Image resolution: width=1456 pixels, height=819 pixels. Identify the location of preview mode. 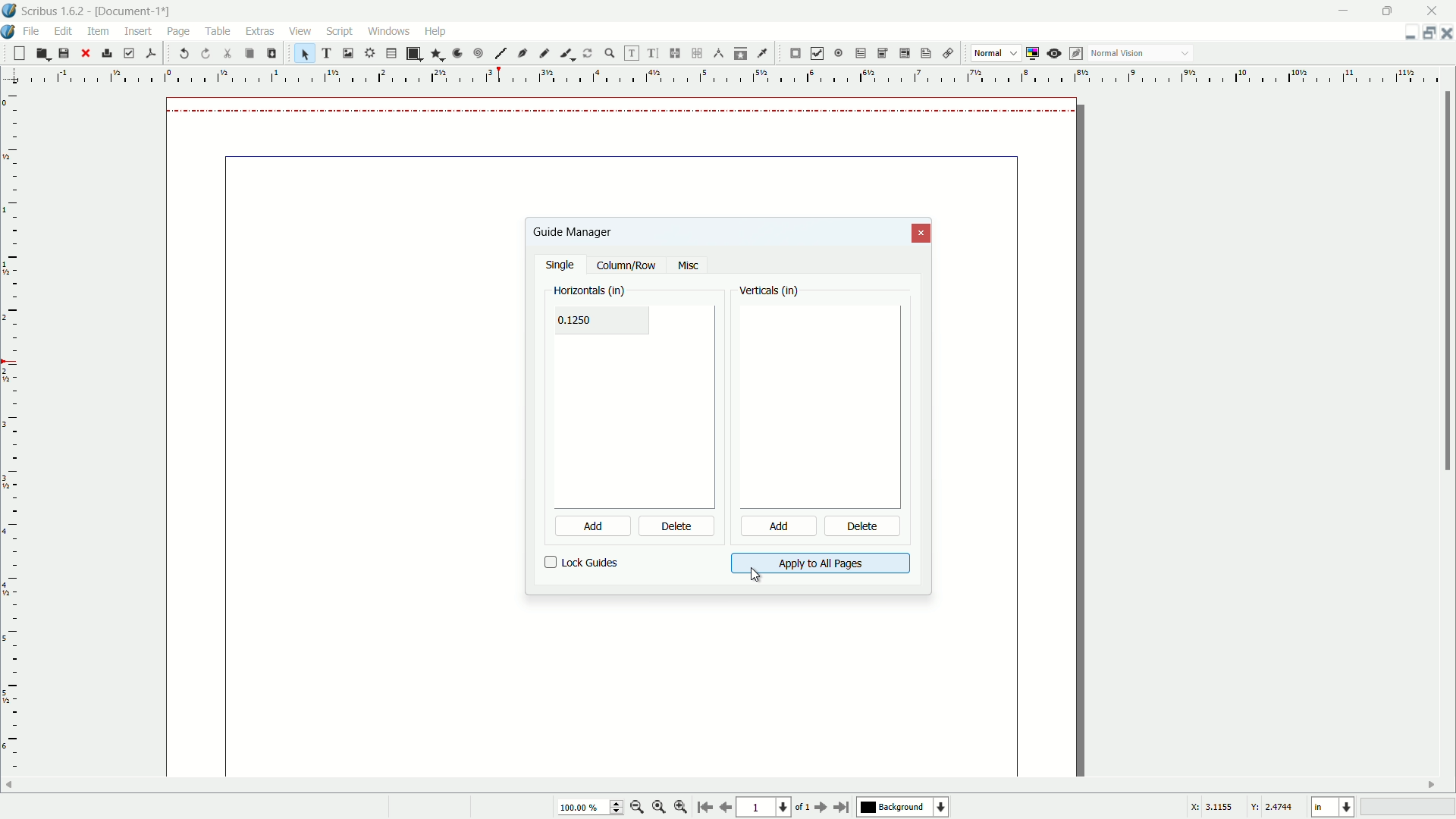
(1056, 53).